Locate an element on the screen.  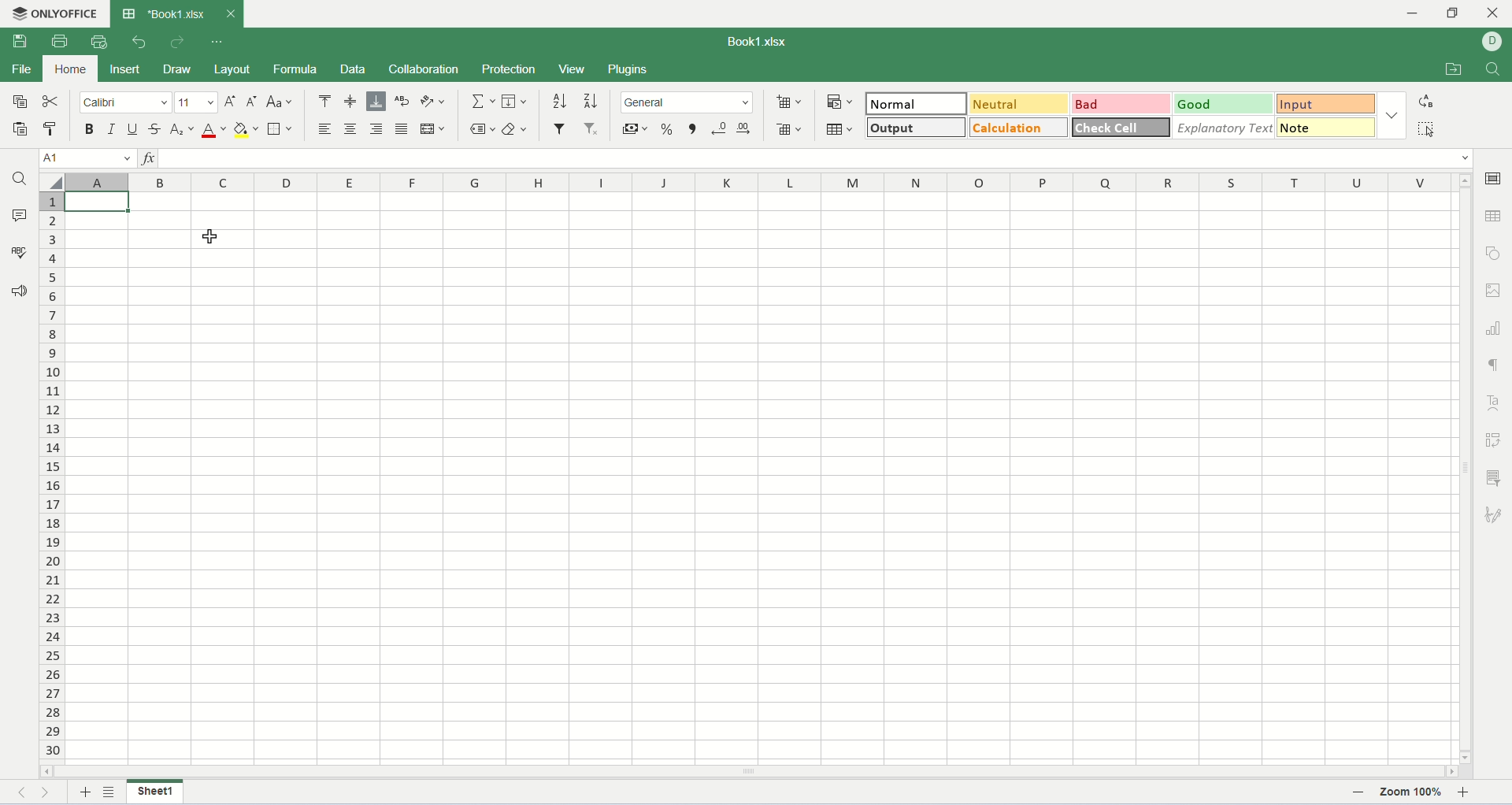
horizontal scroll bar is located at coordinates (753, 771).